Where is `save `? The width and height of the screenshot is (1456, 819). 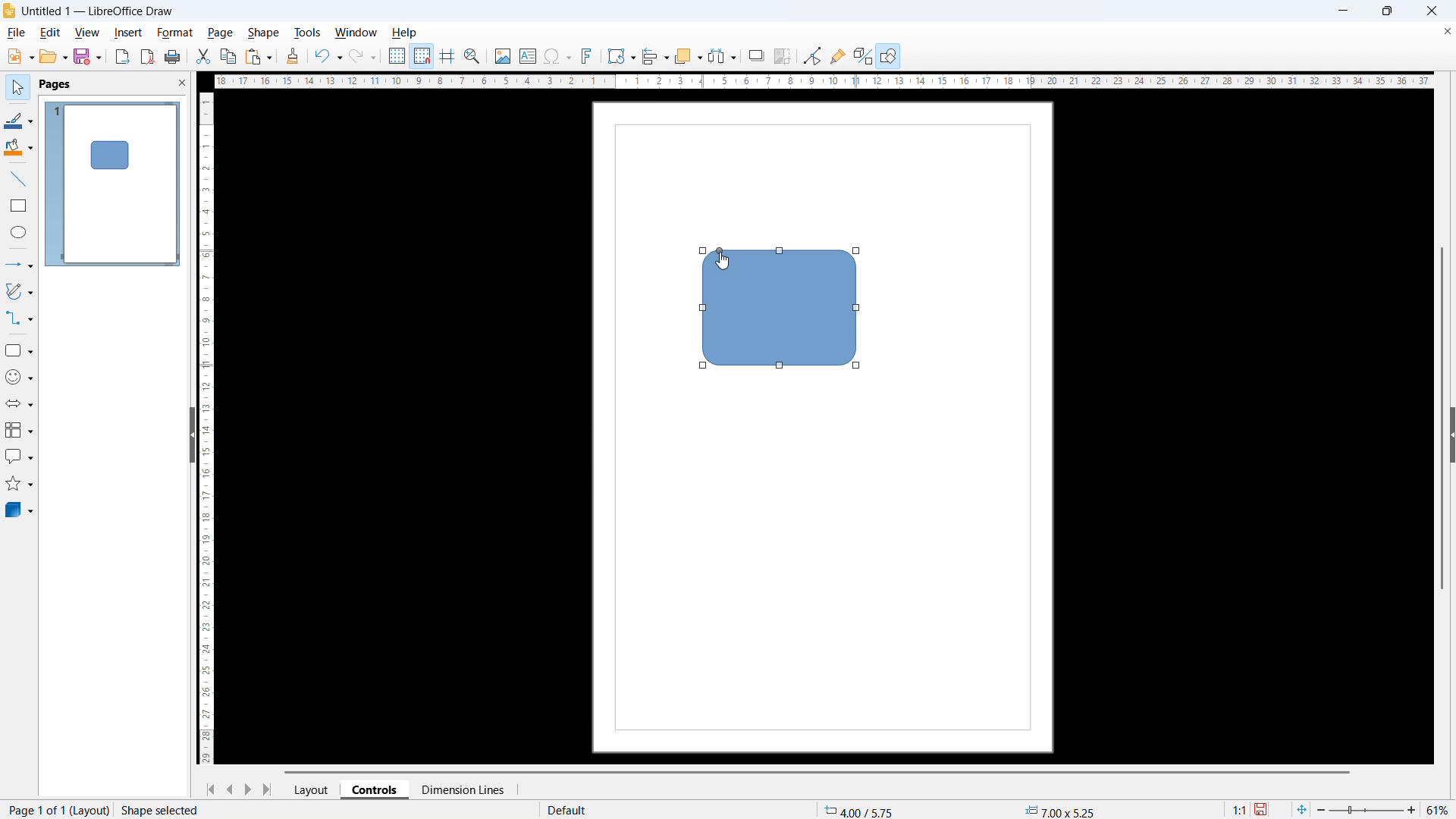
save  is located at coordinates (1263, 809).